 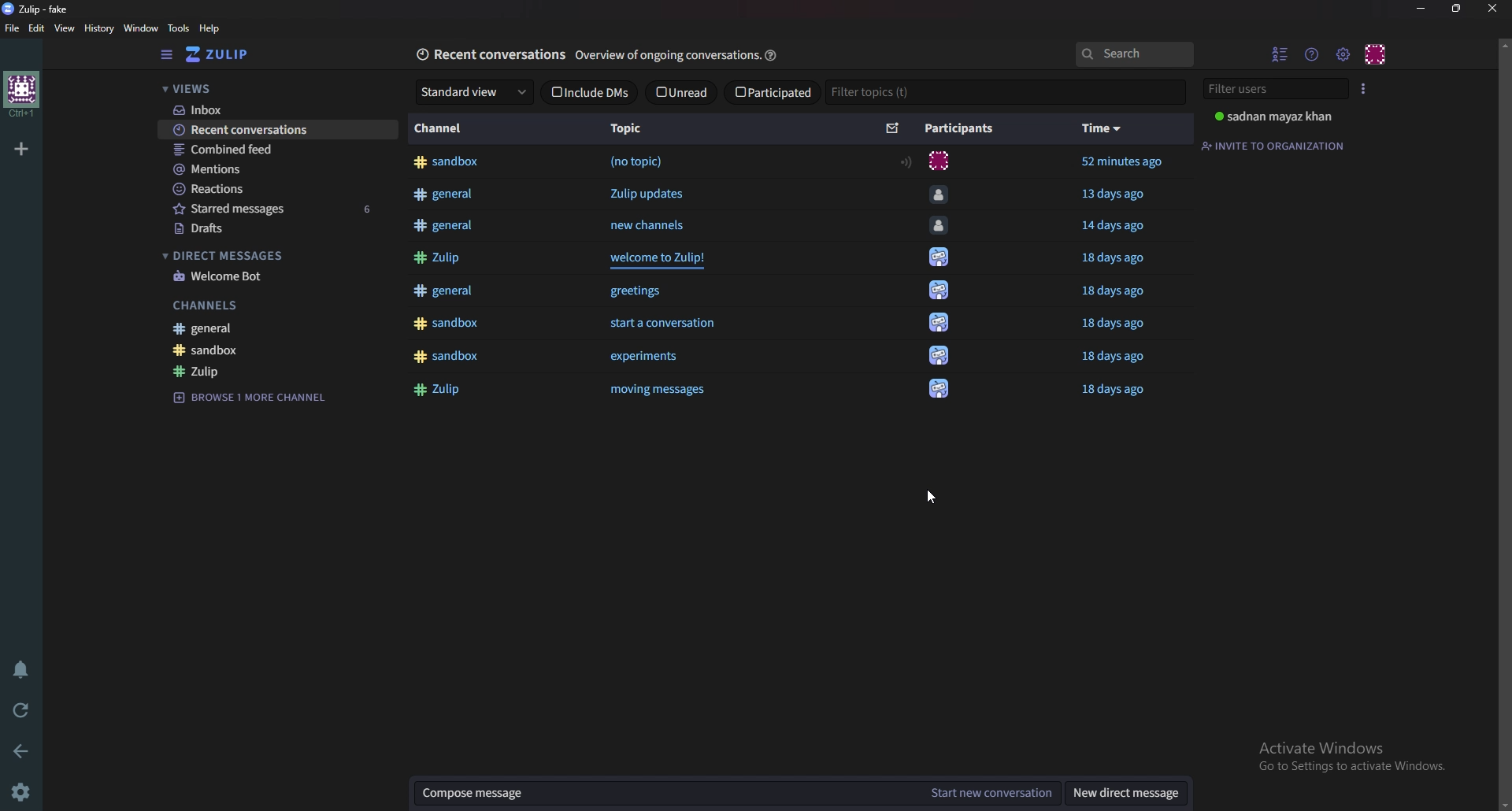 What do you see at coordinates (178, 28) in the screenshot?
I see `Tools` at bounding box center [178, 28].